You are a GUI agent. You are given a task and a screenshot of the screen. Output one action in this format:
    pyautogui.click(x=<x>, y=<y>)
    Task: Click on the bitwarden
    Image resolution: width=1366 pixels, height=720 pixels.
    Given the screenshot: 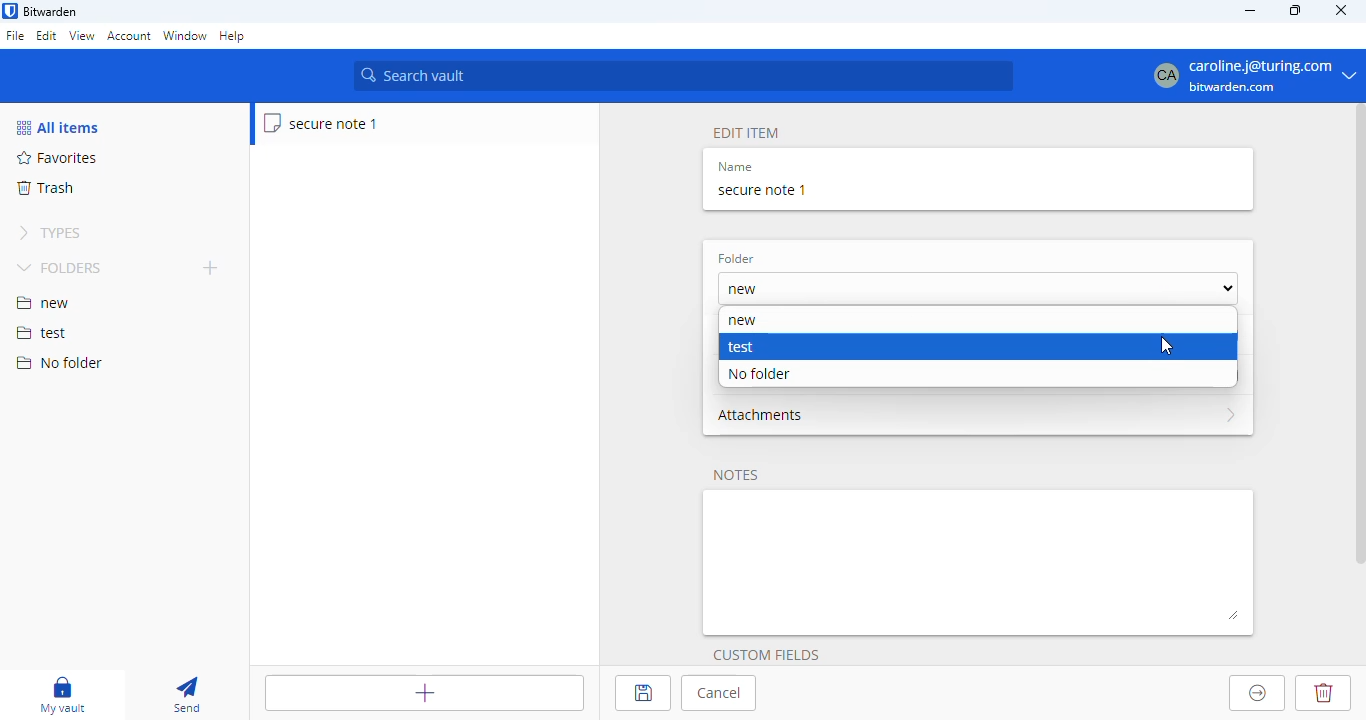 What is the action you would take?
    pyautogui.click(x=51, y=12)
    